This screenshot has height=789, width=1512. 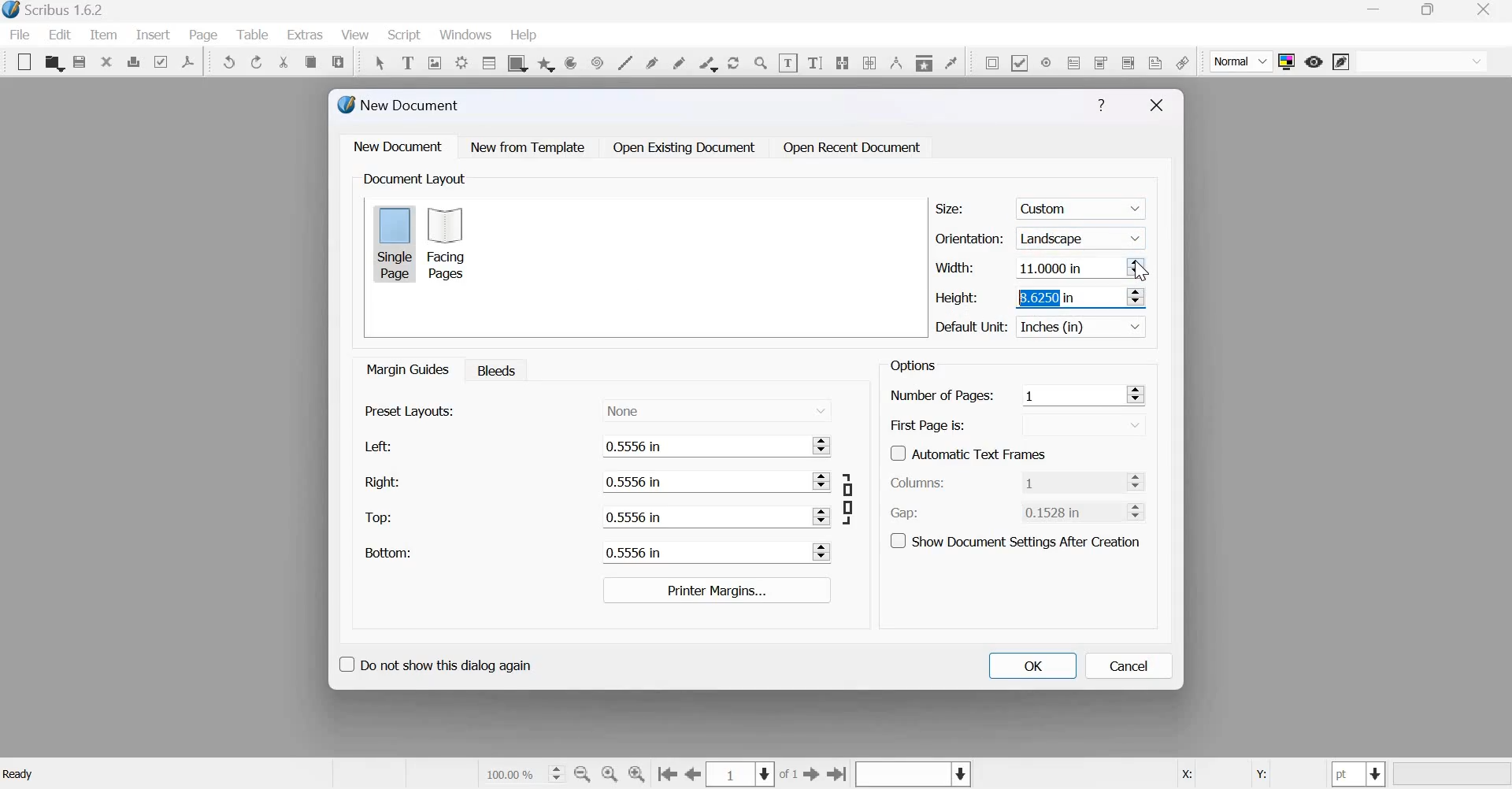 What do you see at coordinates (1185, 775) in the screenshot?
I see `X:` at bounding box center [1185, 775].